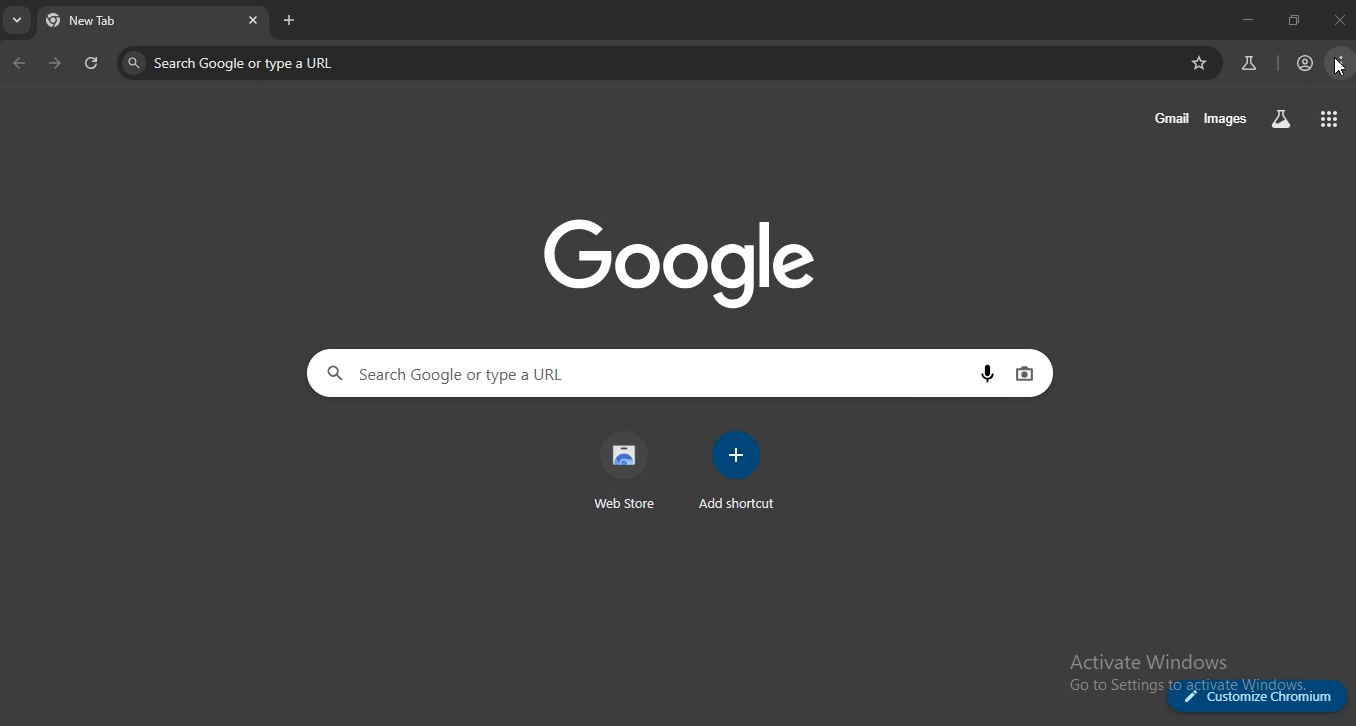 This screenshot has width=1356, height=726. What do you see at coordinates (1229, 118) in the screenshot?
I see `images` at bounding box center [1229, 118].